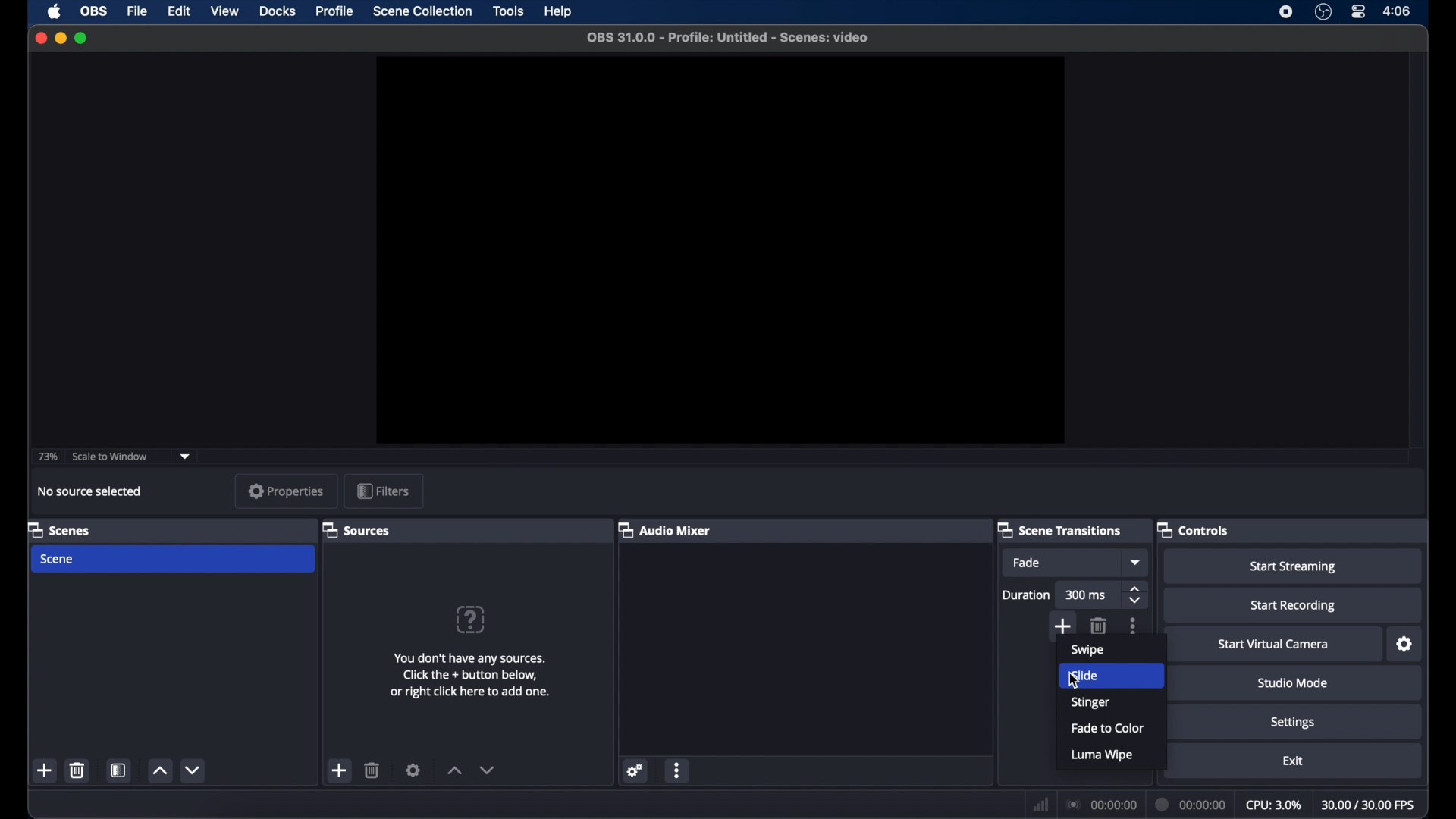 The height and width of the screenshot is (819, 1456). Describe the element at coordinates (45, 770) in the screenshot. I see `add` at that location.